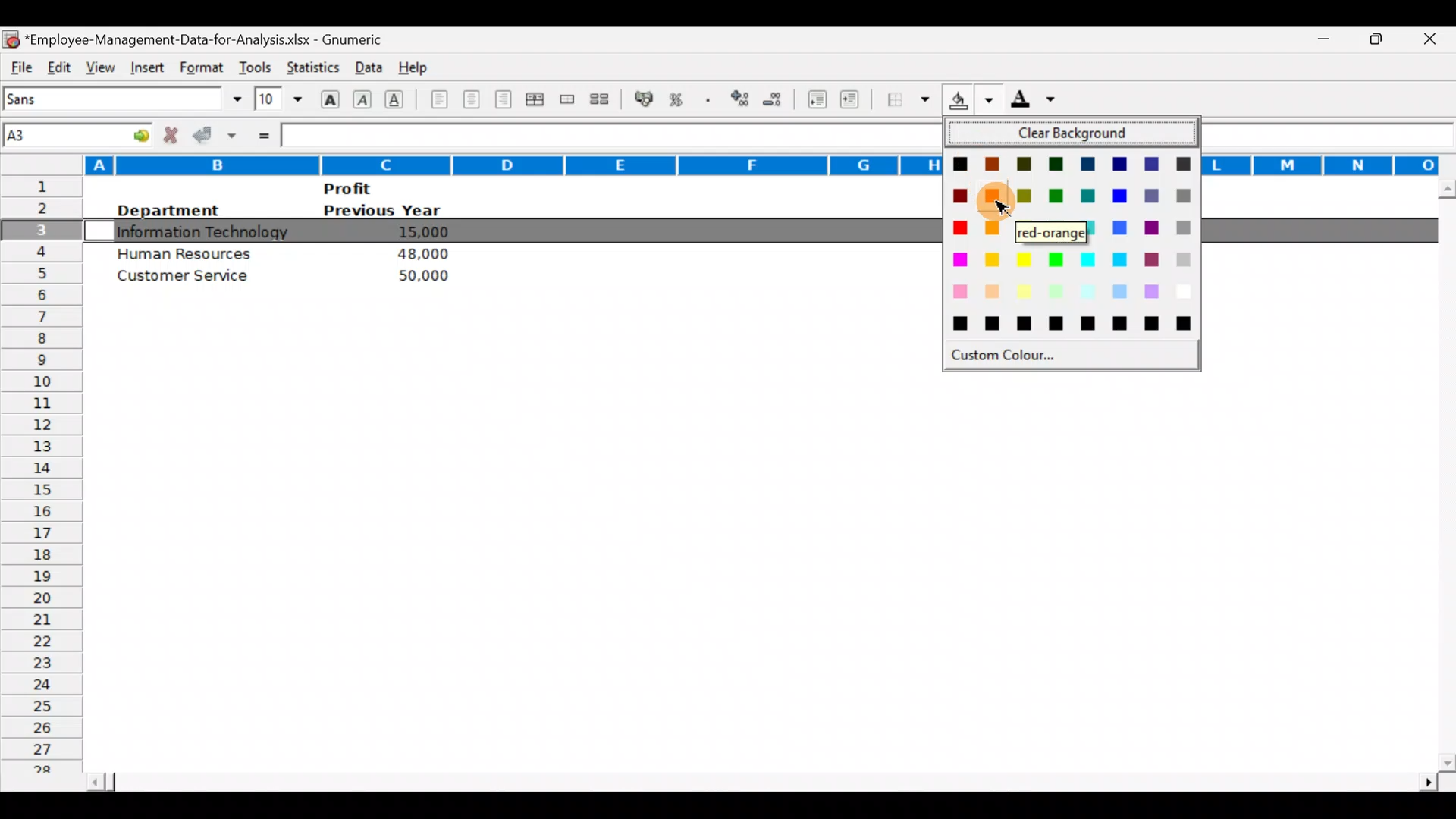 Image resolution: width=1456 pixels, height=819 pixels. What do you see at coordinates (1073, 134) in the screenshot?
I see `Clear background` at bounding box center [1073, 134].